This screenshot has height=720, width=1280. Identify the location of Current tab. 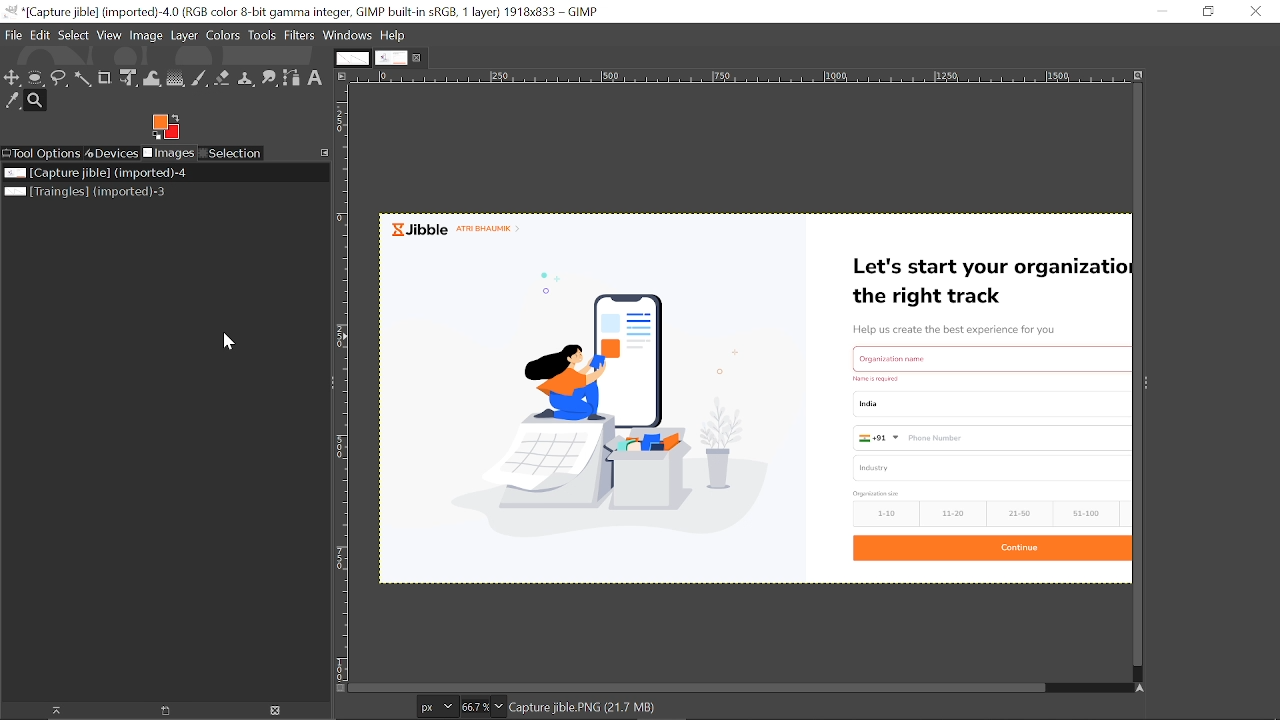
(391, 59).